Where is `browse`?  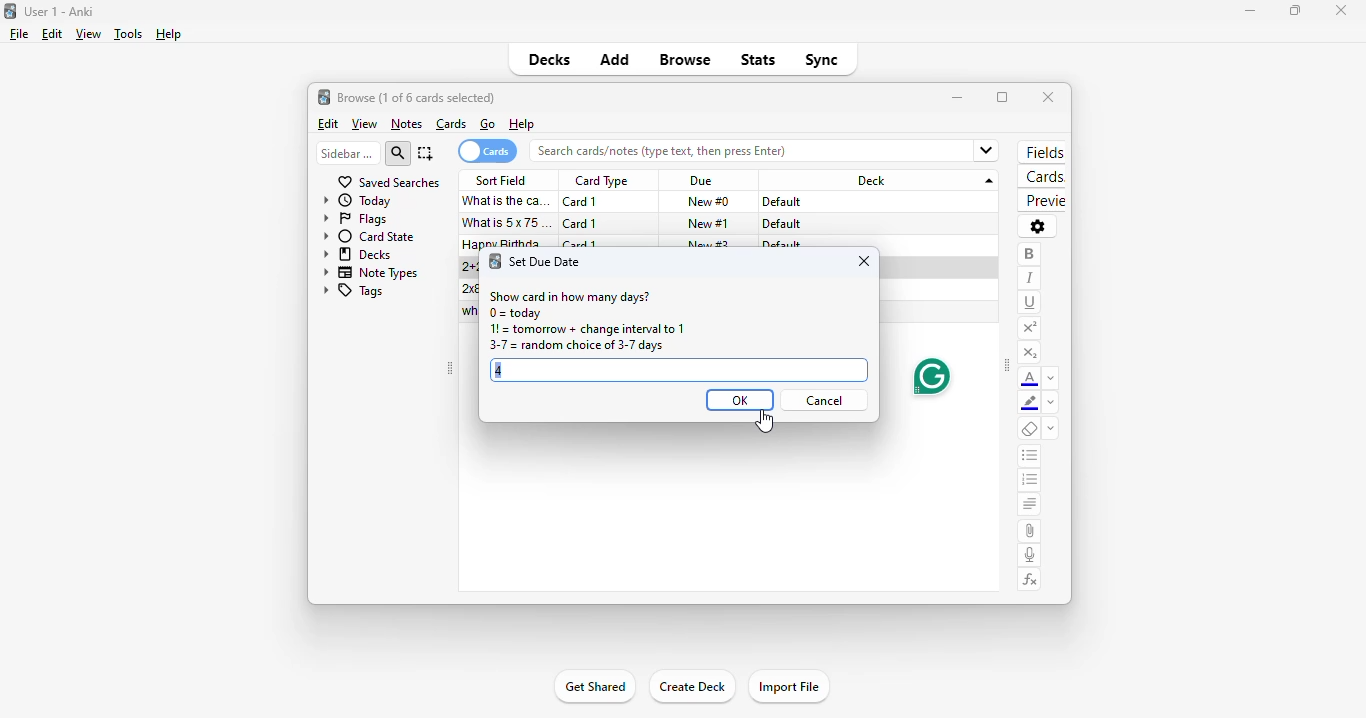 browse is located at coordinates (686, 61).